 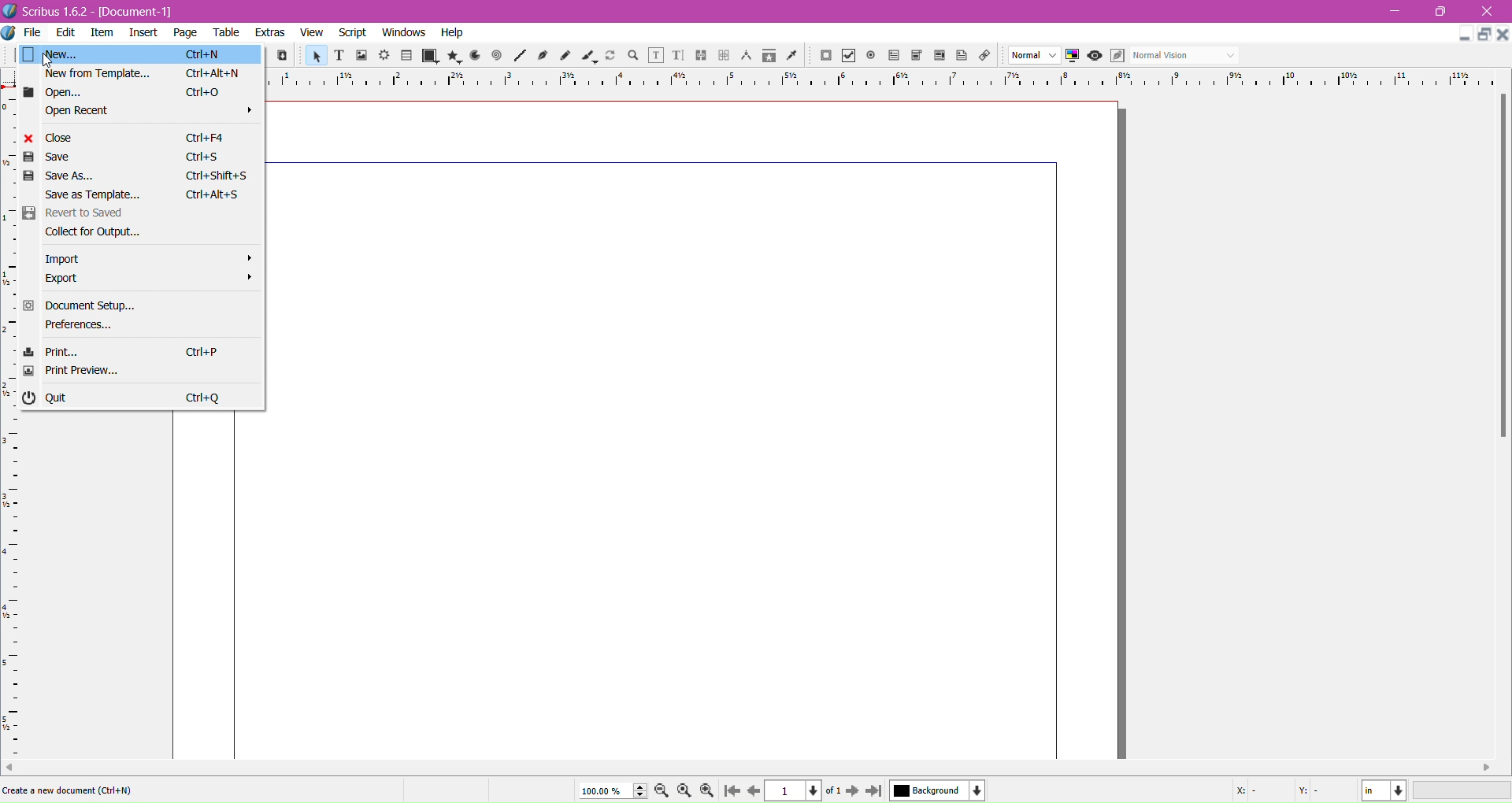 I want to click on icon, so click(x=1119, y=54).